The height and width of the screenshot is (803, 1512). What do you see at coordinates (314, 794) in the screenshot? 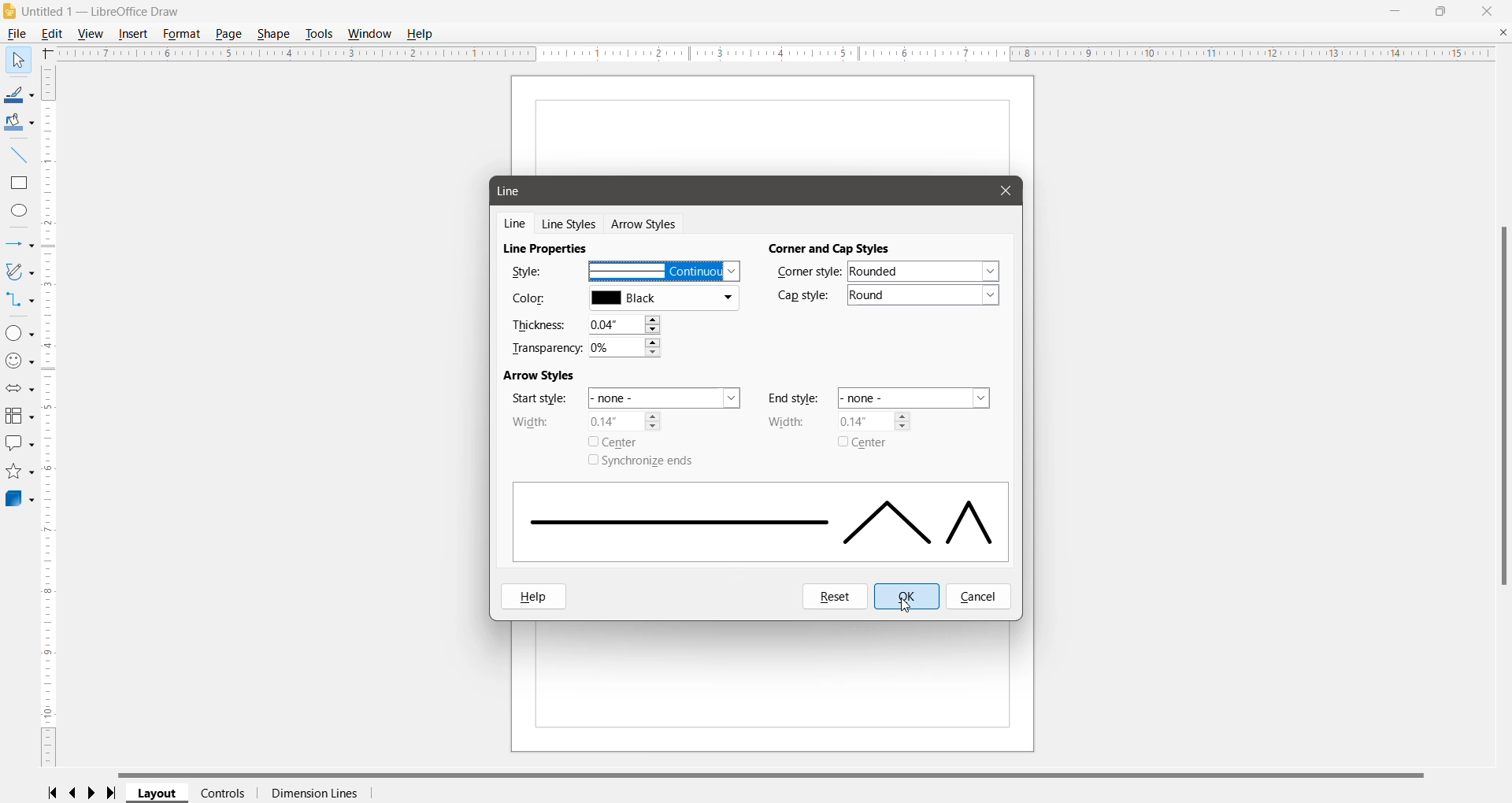
I see `Dimension Lines` at bounding box center [314, 794].